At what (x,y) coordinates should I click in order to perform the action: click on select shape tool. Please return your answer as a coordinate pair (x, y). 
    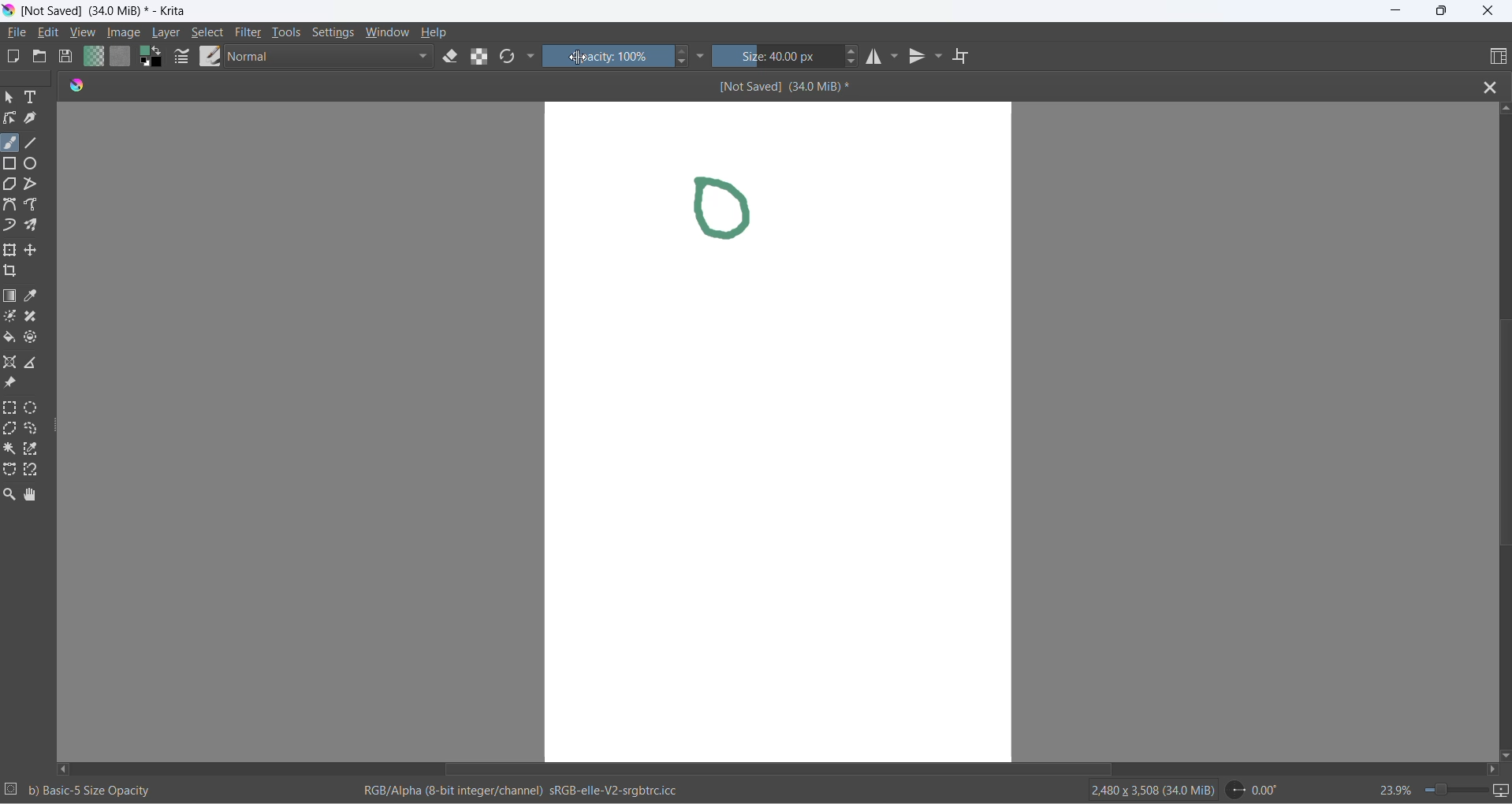
    Looking at the image, I should click on (12, 99).